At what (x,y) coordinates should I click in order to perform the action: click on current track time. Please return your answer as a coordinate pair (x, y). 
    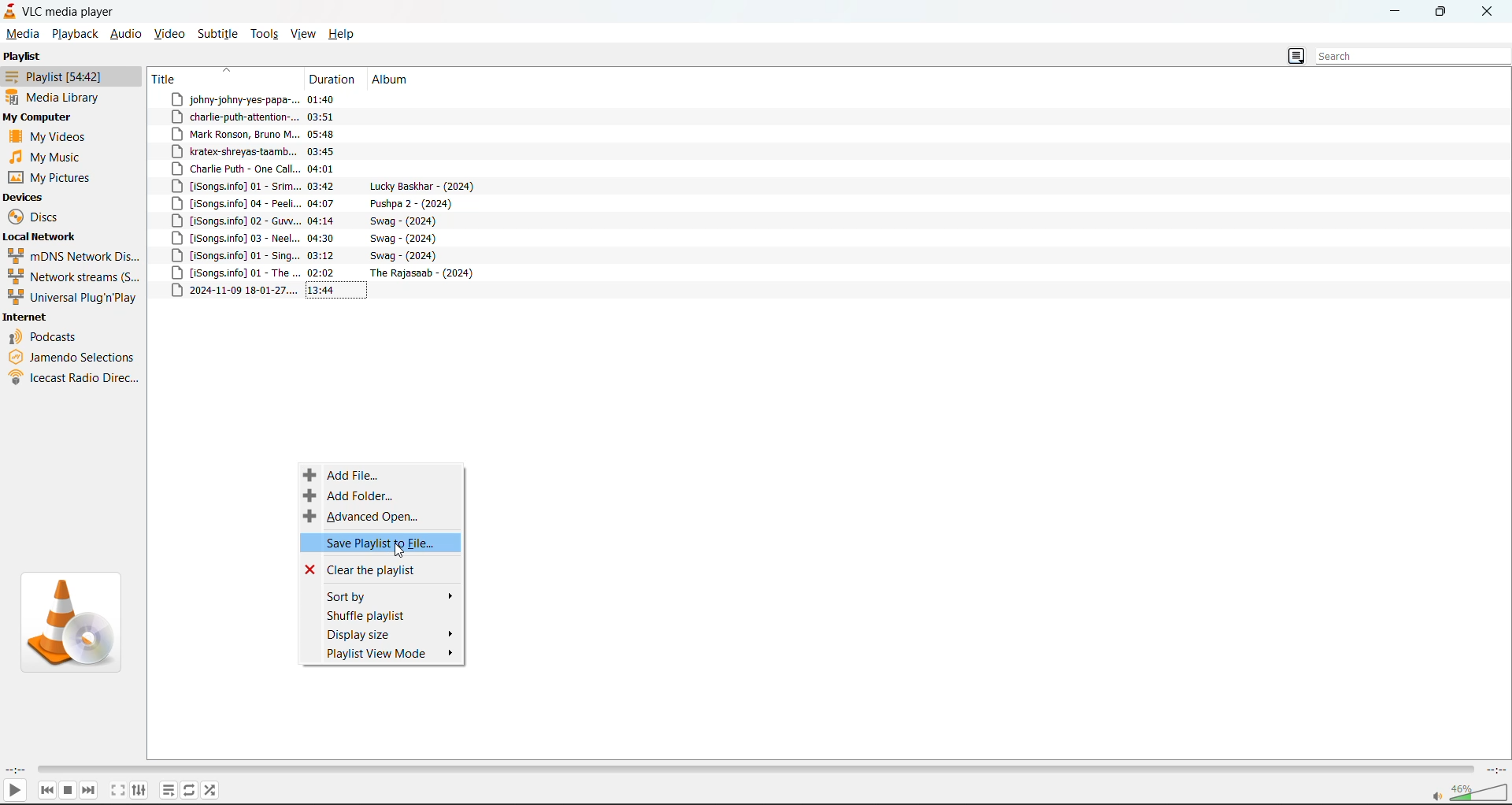
    Looking at the image, I should click on (20, 768).